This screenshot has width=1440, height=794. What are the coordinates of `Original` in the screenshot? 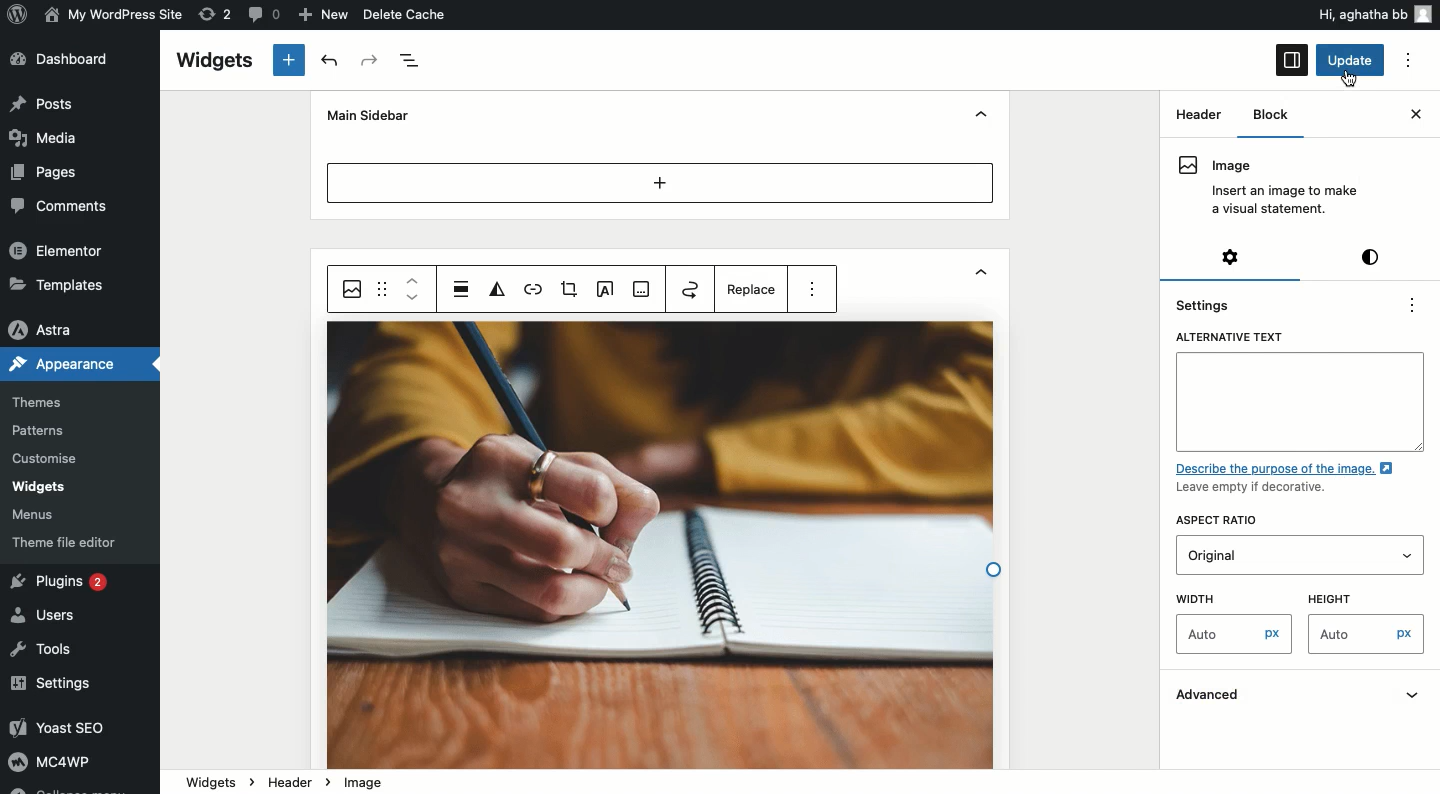 It's located at (1251, 554).